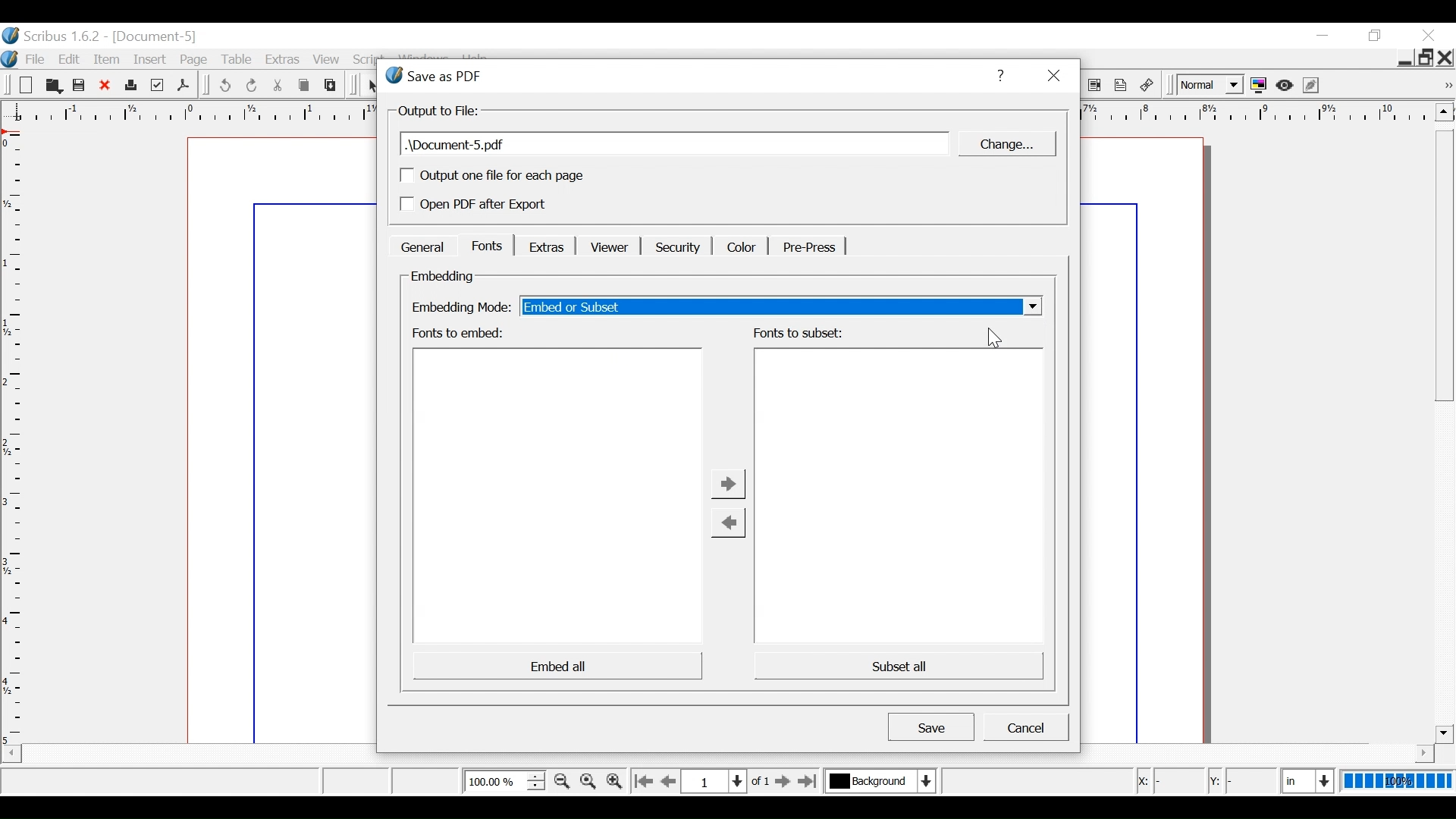 This screenshot has width=1456, height=819. What do you see at coordinates (1309, 779) in the screenshot?
I see `Current position in units` at bounding box center [1309, 779].